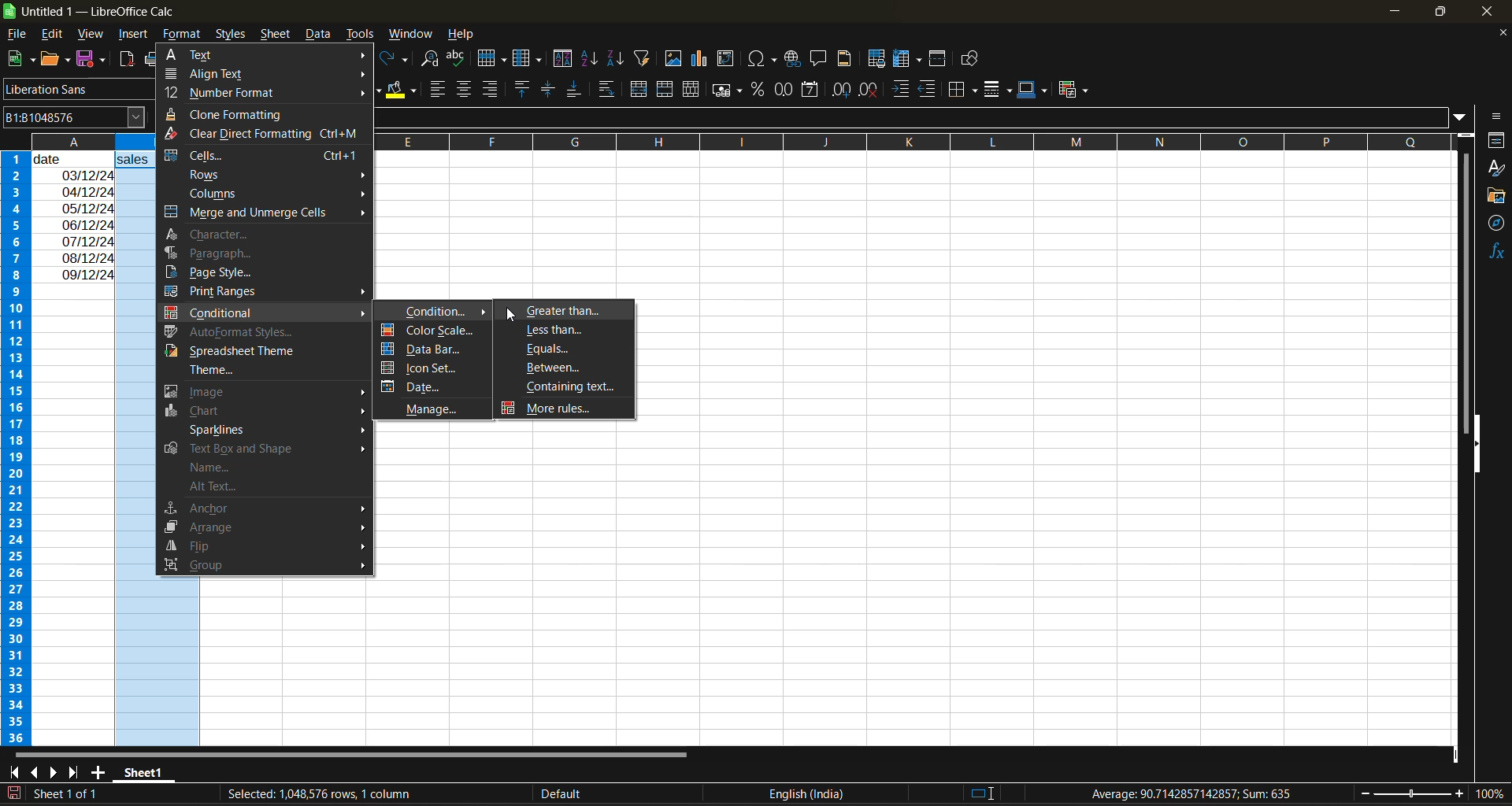  What do you see at coordinates (1496, 227) in the screenshot?
I see `navigator` at bounding box center [1496, 227].